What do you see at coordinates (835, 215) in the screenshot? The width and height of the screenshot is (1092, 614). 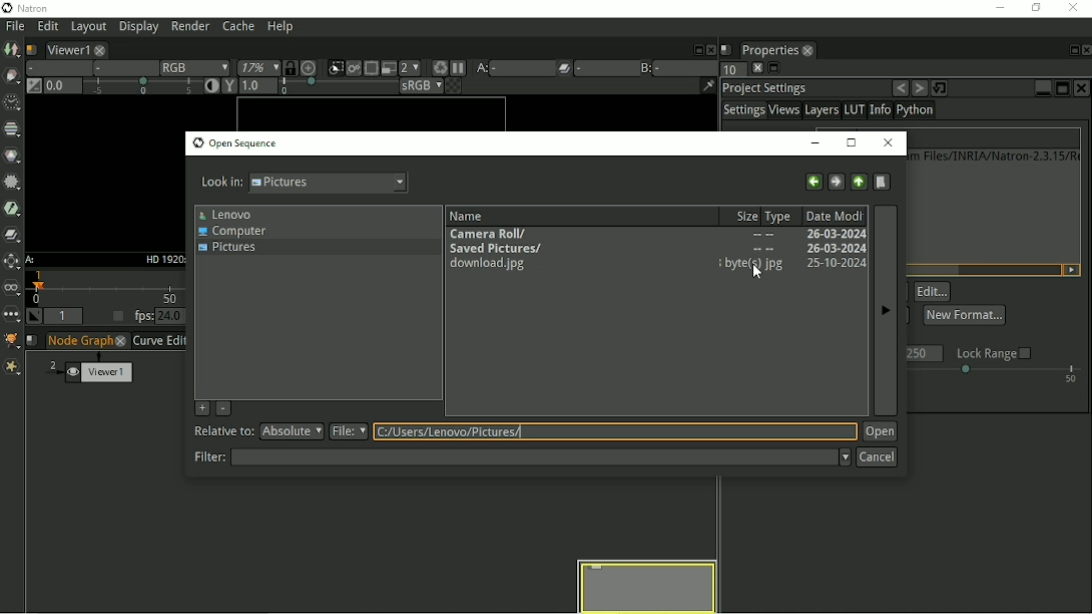 I see `Date modified` at bounding box center [835, 215].